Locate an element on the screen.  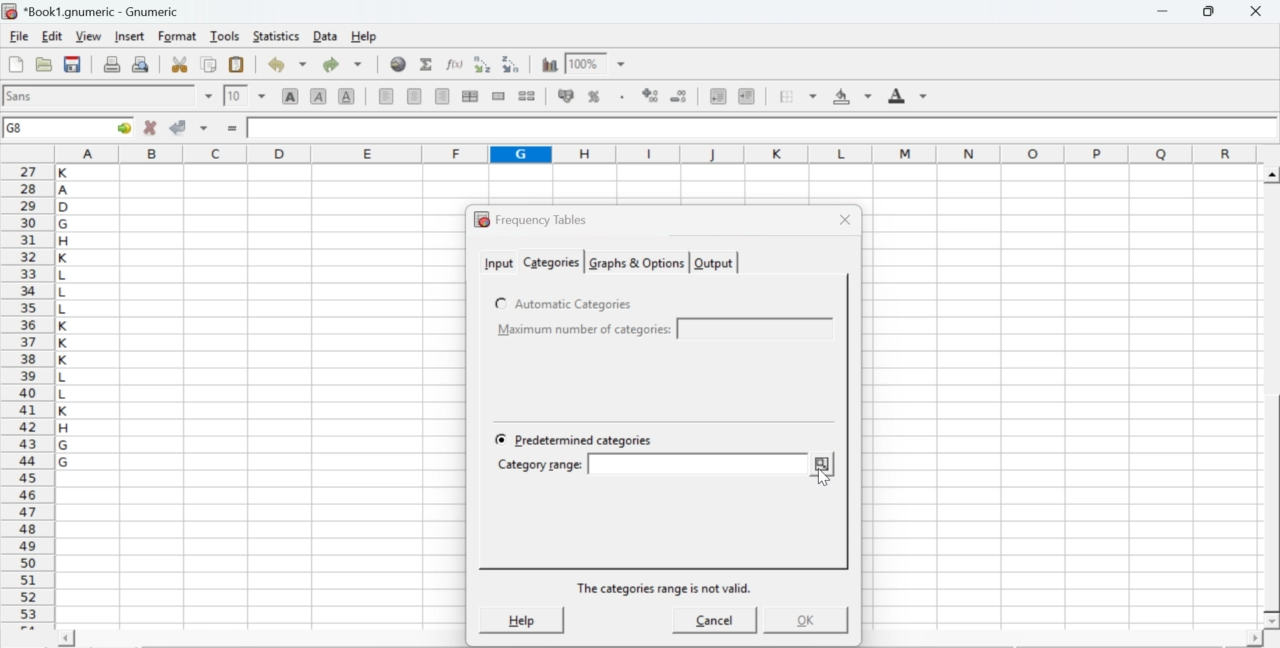
help is located at coordinates (366, 37).